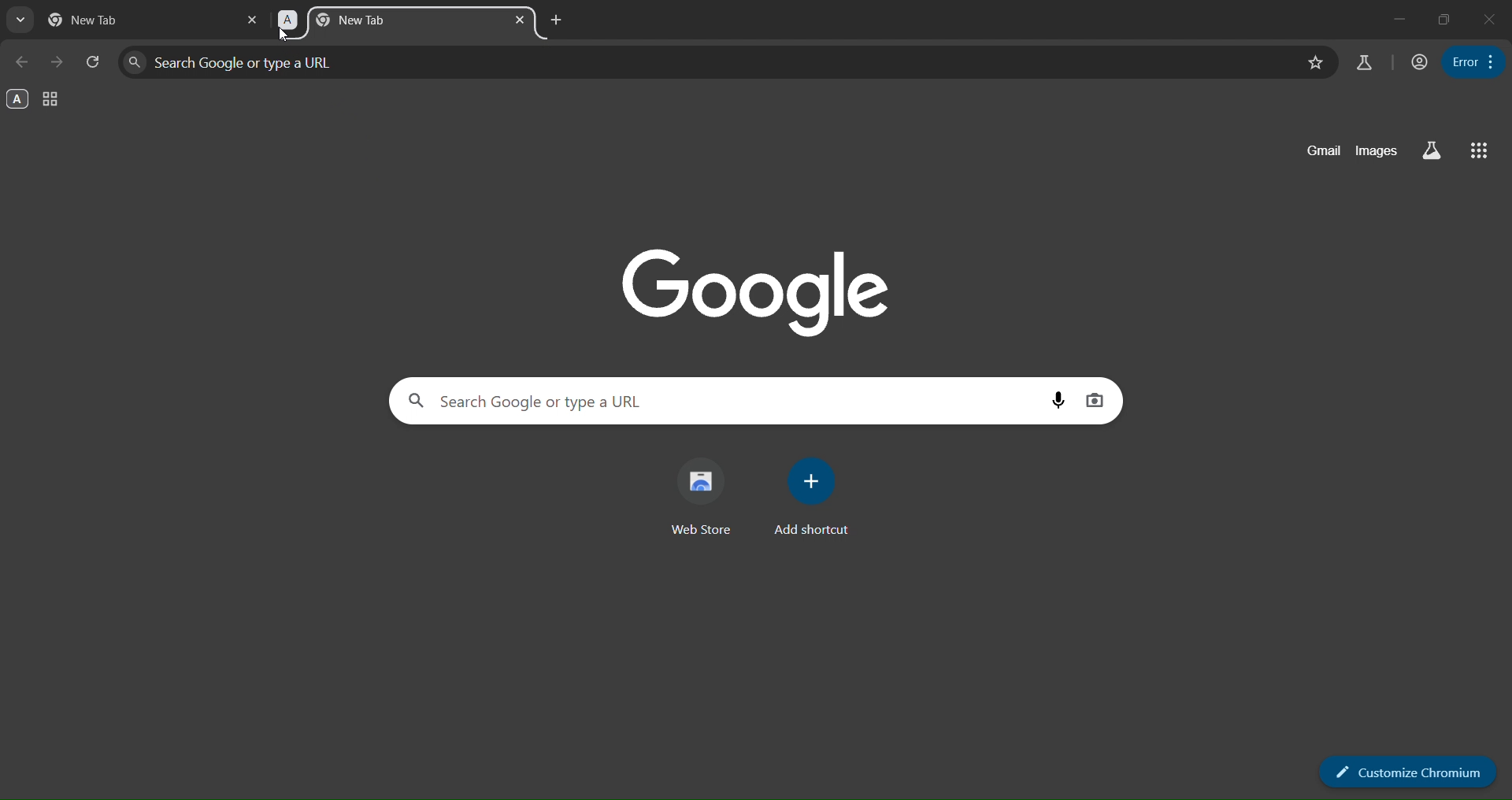  Describe the element at coordinates (1397, 17) in the screenshot. I see `minimize` at that location.